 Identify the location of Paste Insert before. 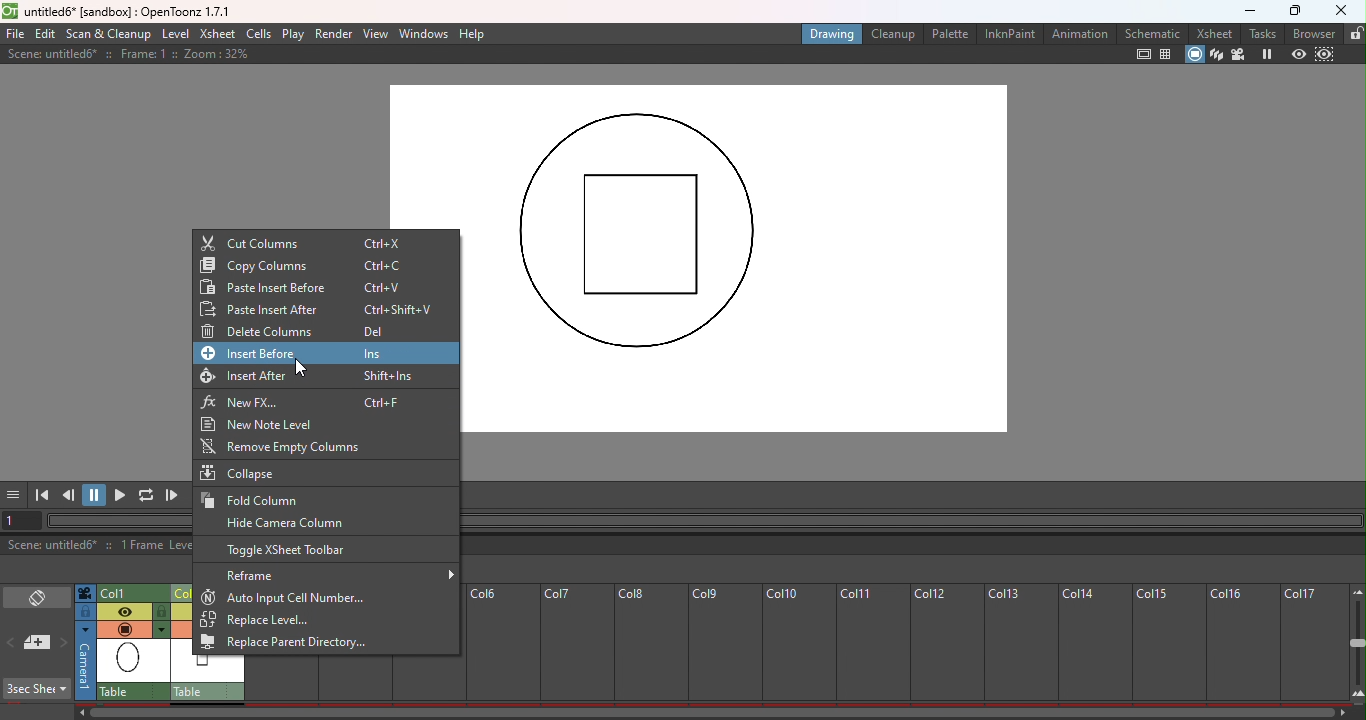
(301, 288).